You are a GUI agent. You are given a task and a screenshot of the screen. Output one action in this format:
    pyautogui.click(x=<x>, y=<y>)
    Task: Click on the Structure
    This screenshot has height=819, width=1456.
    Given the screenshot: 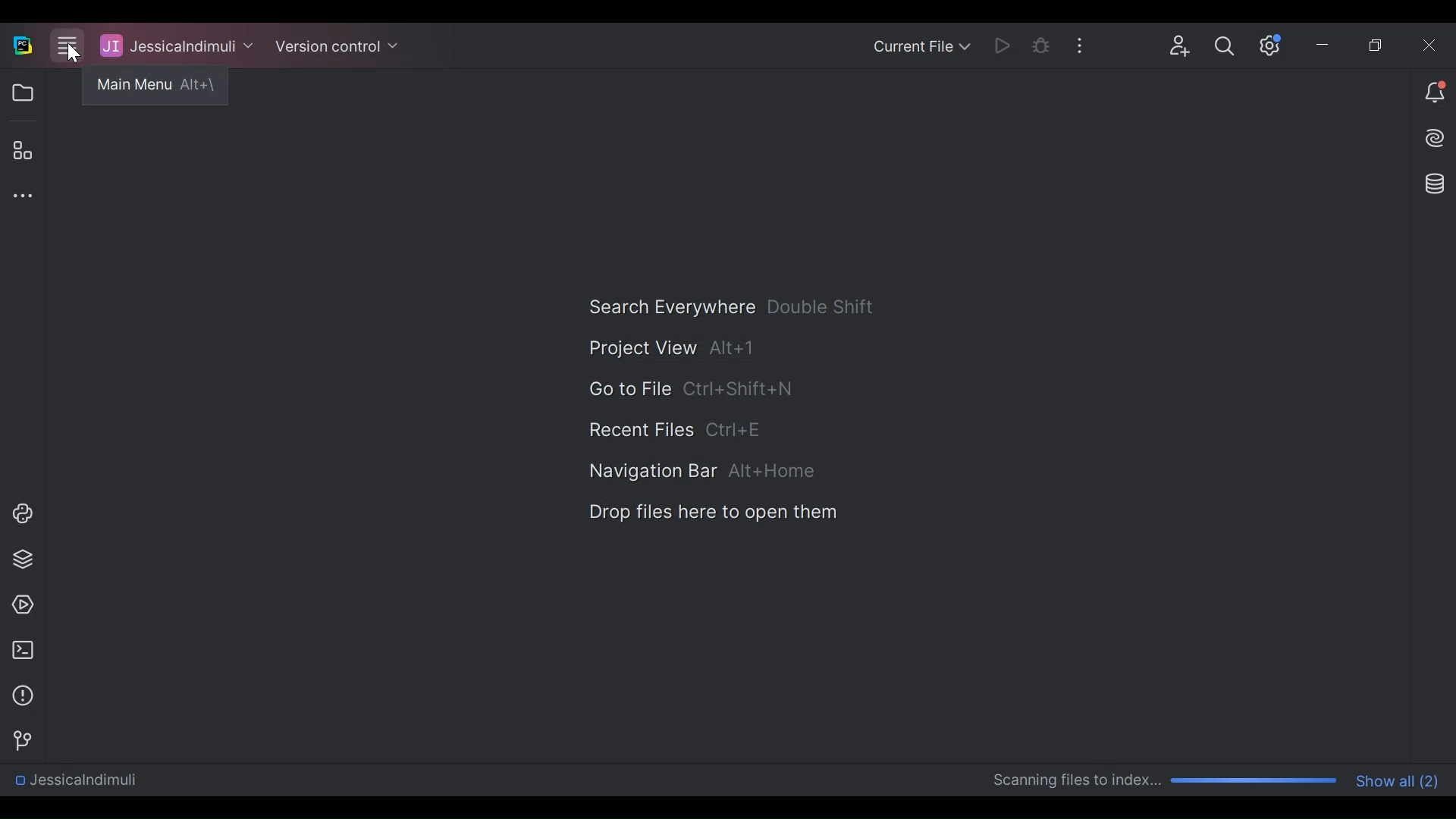 What is the action you would take?
    pyautogui.click(x=21, y=151)
    